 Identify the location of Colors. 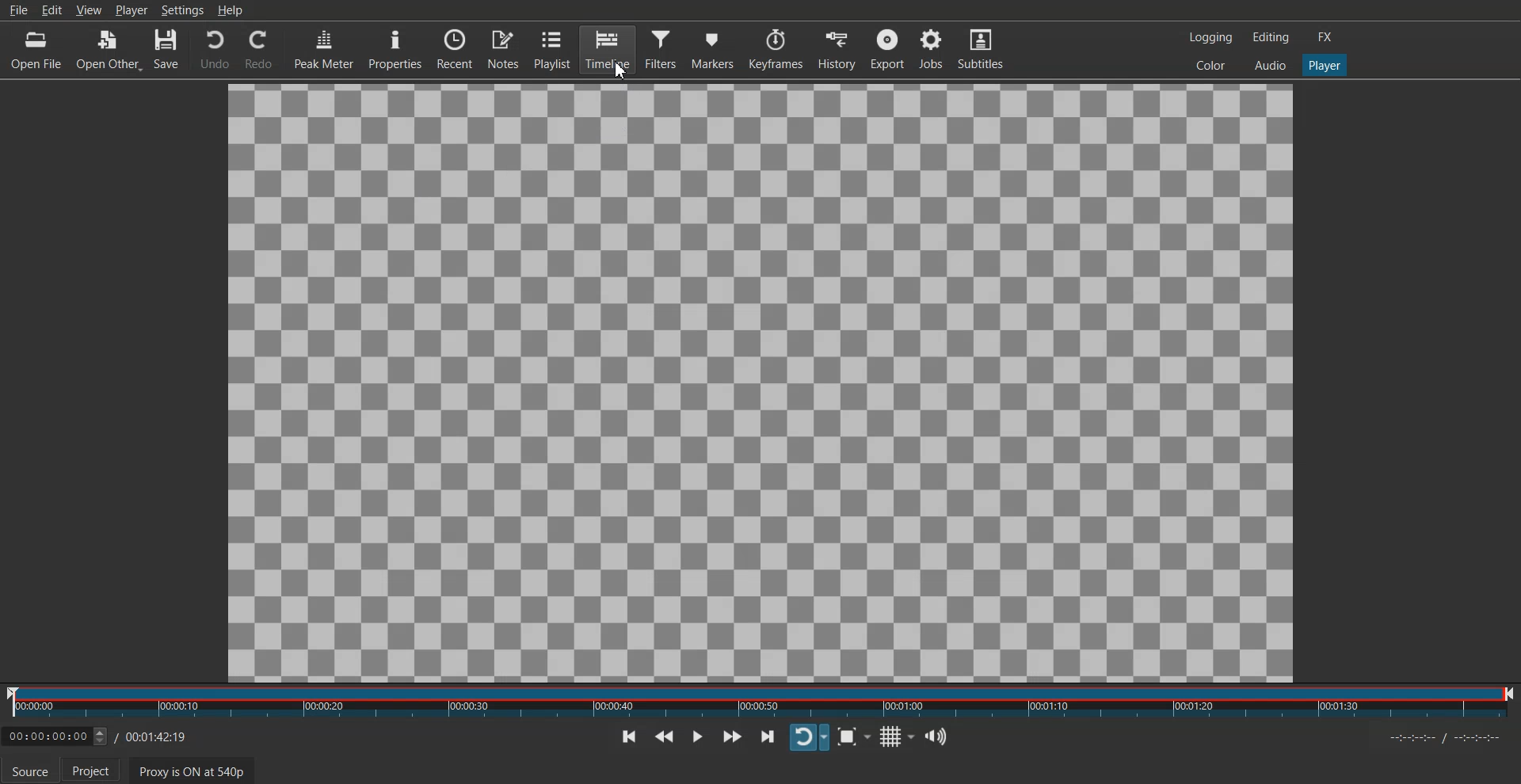
(1210, 64).